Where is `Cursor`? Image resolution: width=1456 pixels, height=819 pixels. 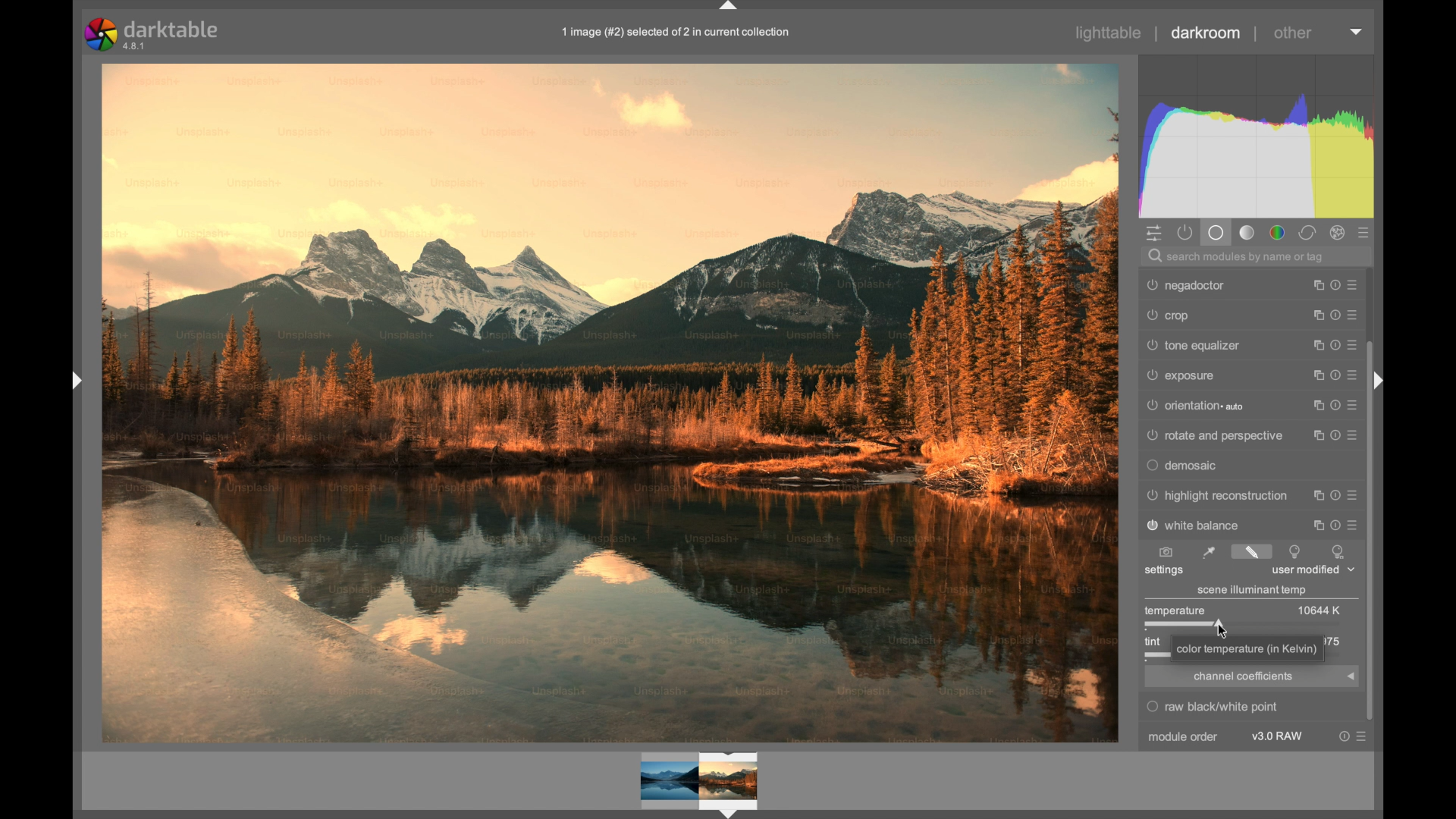 Cursor is located at coordinates (1222, 631).